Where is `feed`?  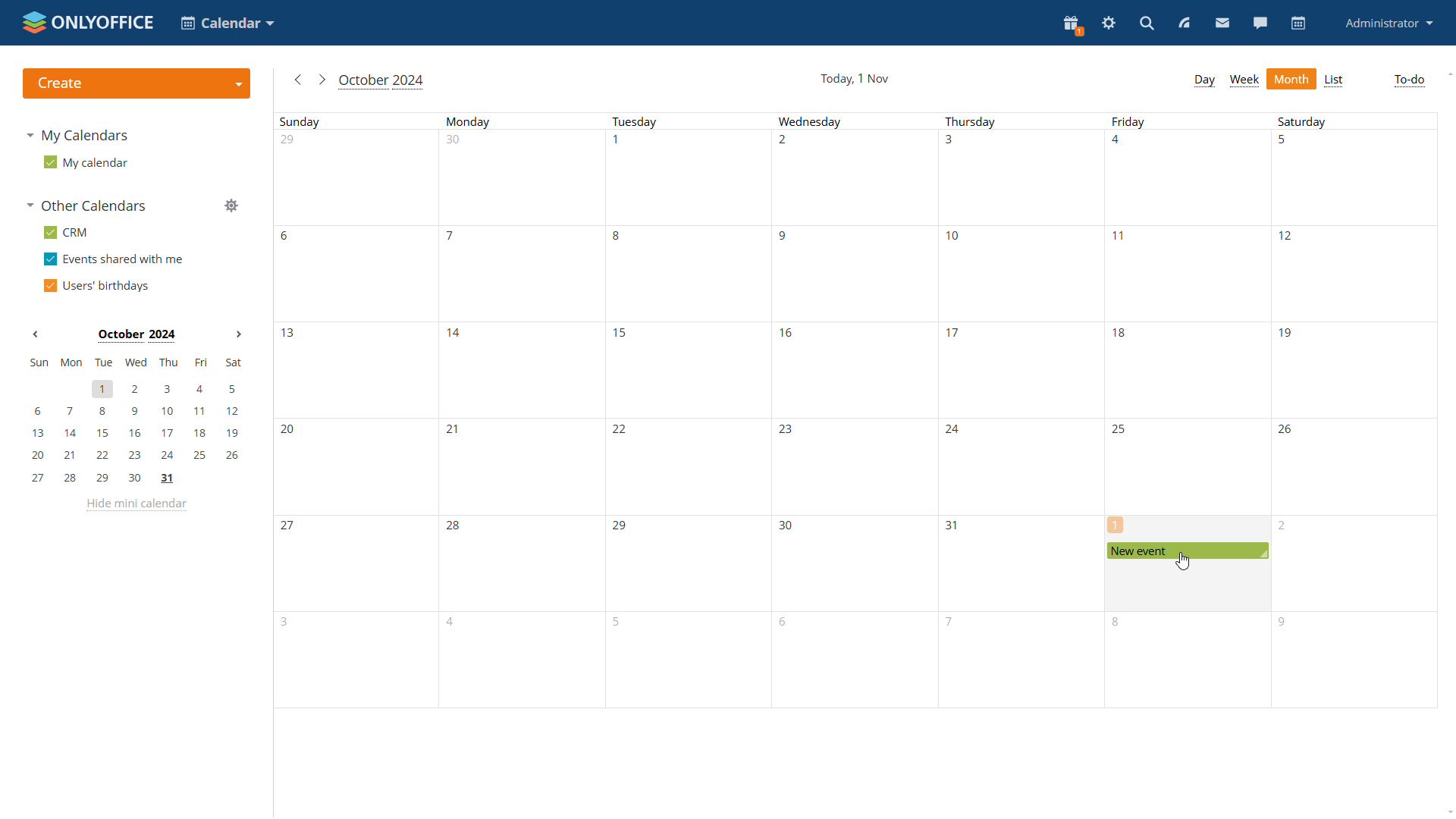
feed is located at coordinates (1185, 24).